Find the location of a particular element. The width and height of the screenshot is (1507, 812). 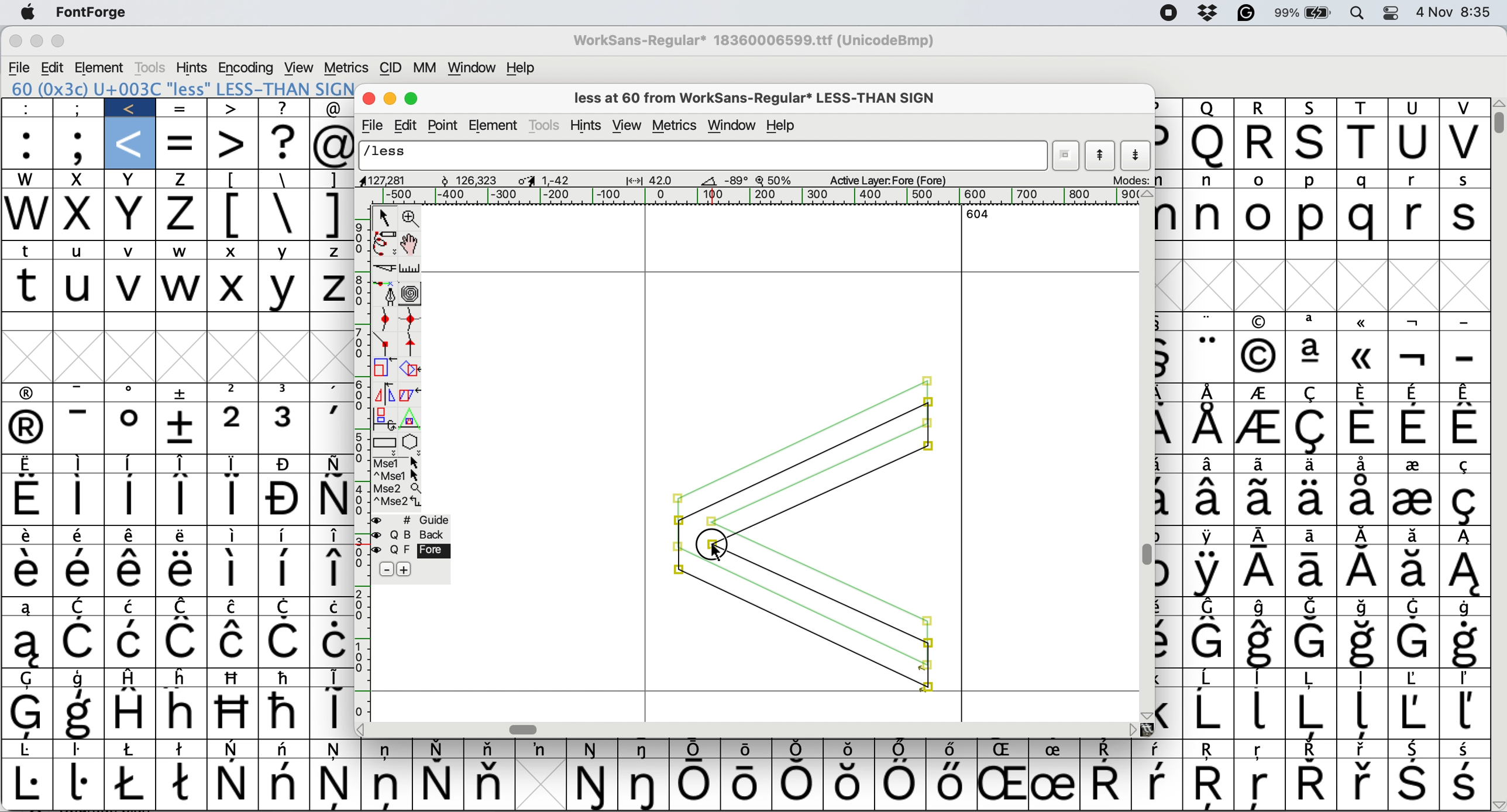

s is located at coordinates (1467, 216).